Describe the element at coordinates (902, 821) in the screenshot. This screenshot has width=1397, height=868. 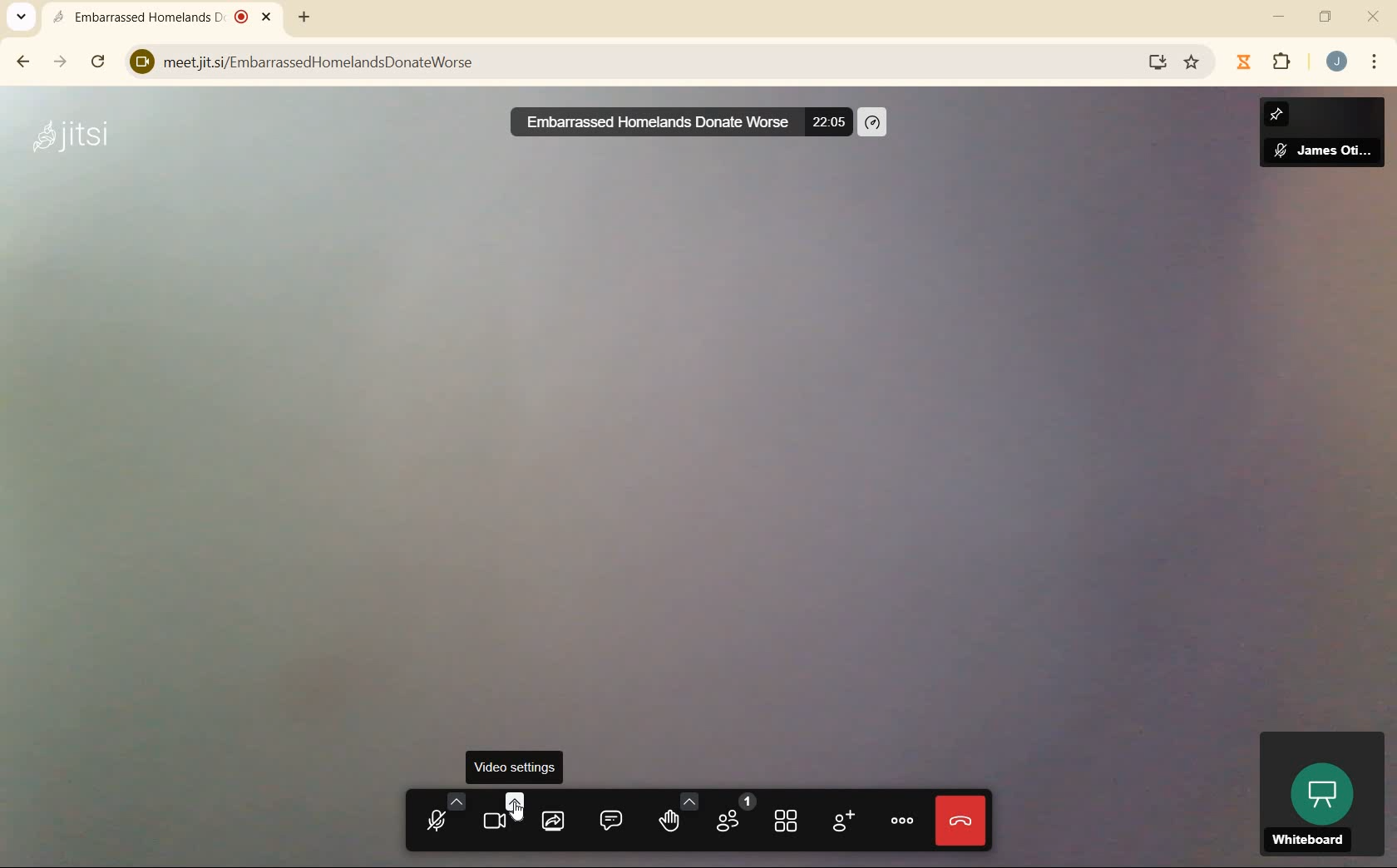
I see `more actions` at that location.